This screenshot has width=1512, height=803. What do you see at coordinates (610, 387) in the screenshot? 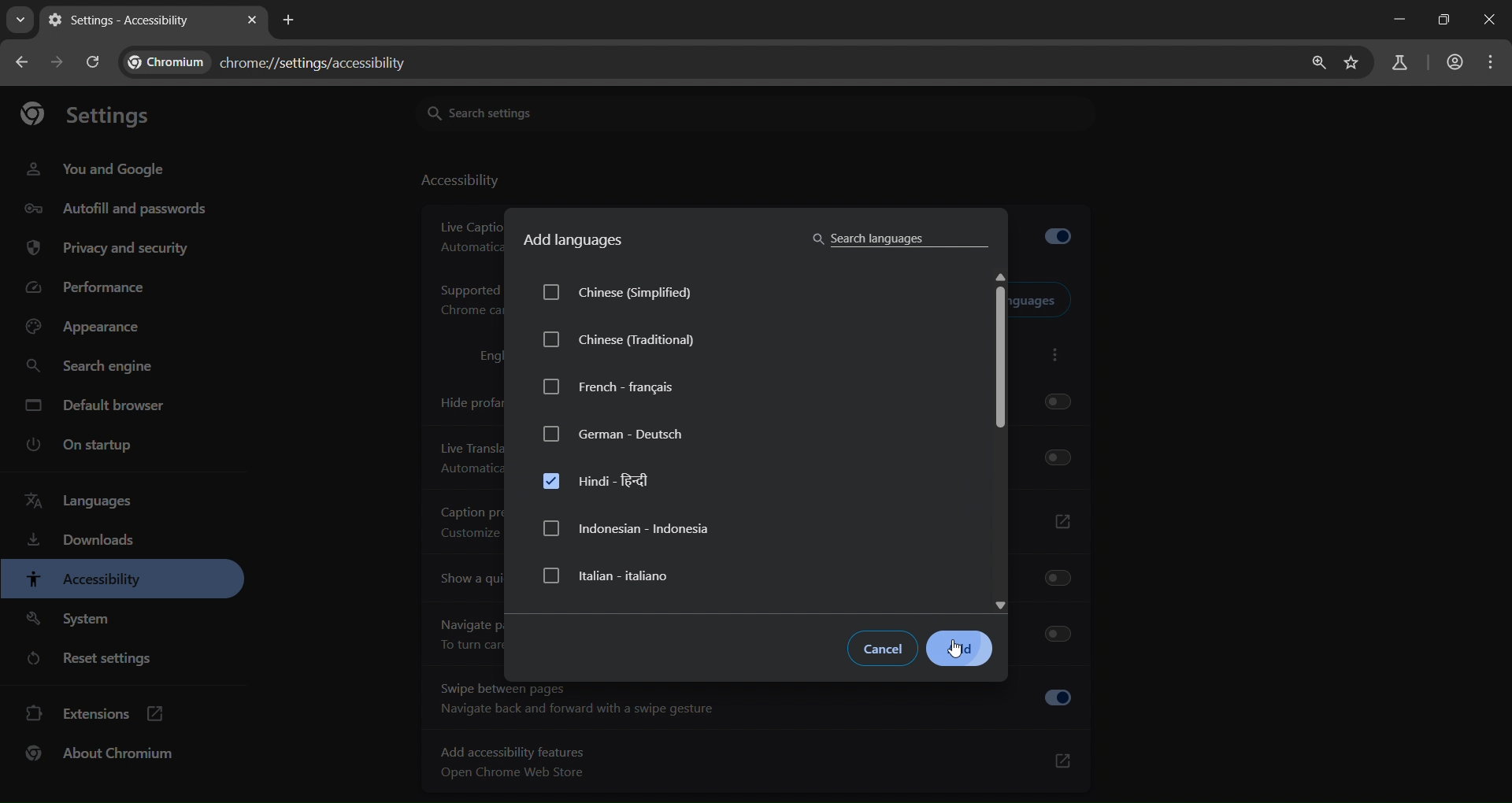
I see `French - francais` at bounding box center [610, 387].